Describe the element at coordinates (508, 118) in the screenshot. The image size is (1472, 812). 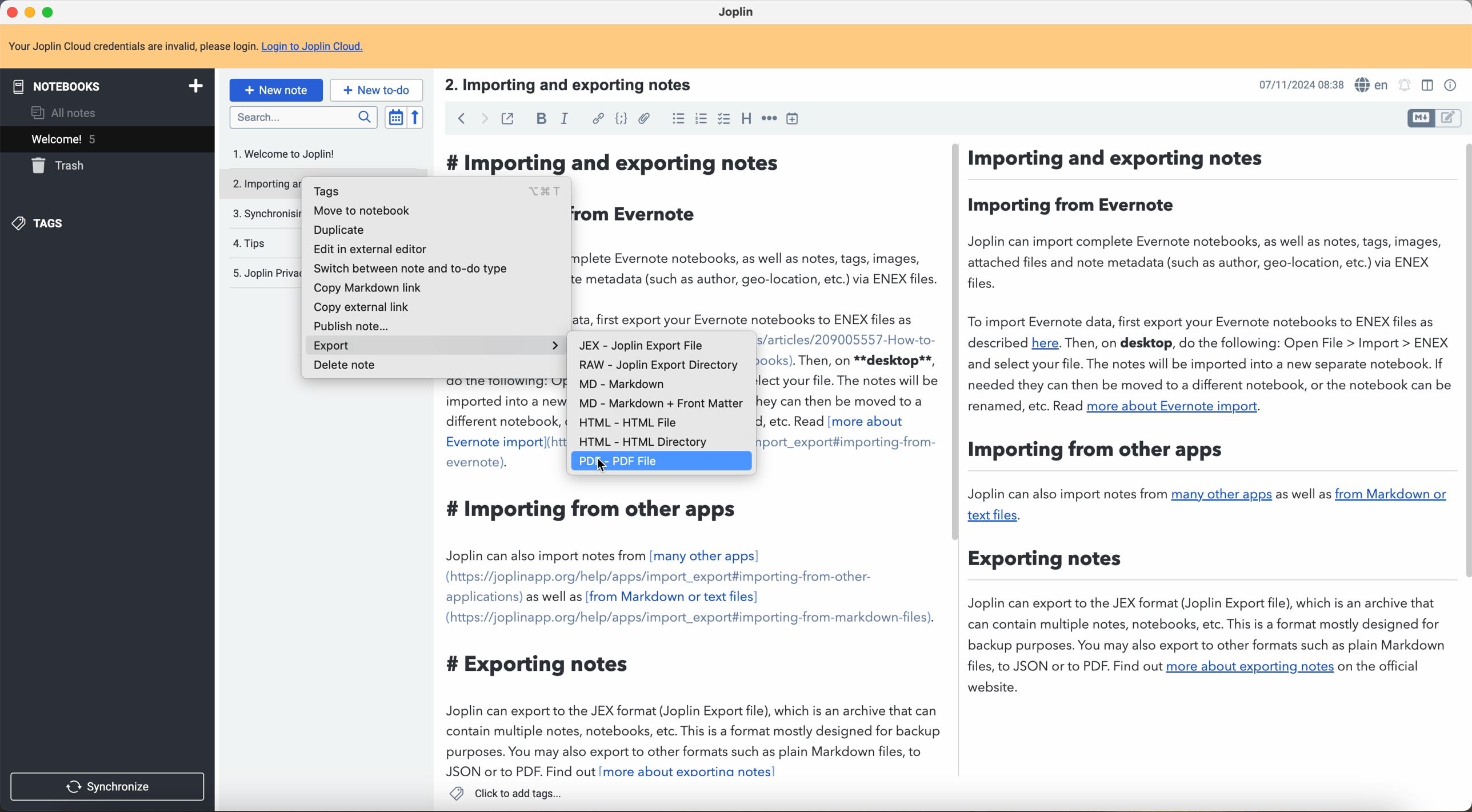
I see `toggle external editing` at that location.